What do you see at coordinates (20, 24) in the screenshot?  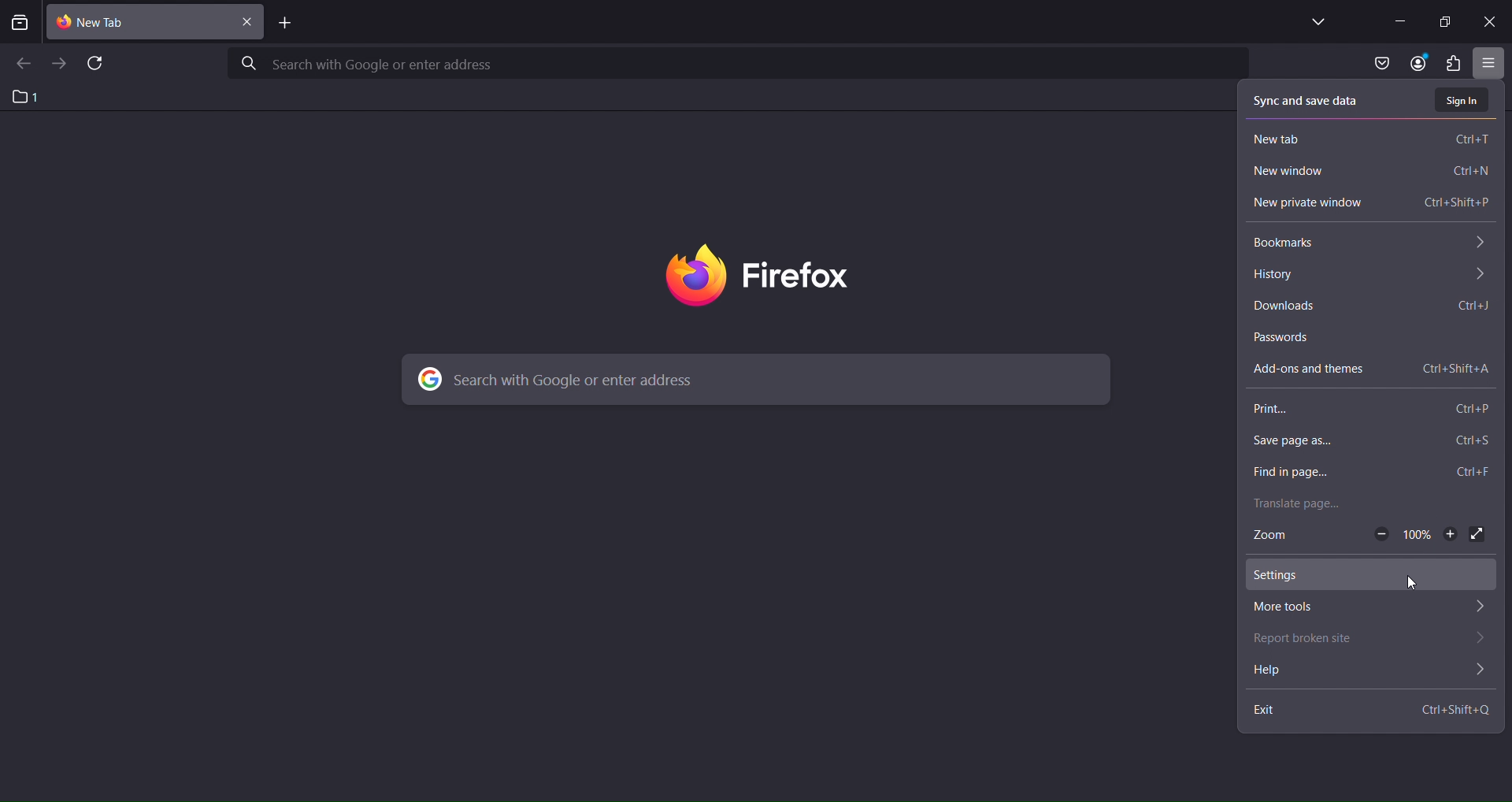 I see `search tab` at bounding box center [20, 24].